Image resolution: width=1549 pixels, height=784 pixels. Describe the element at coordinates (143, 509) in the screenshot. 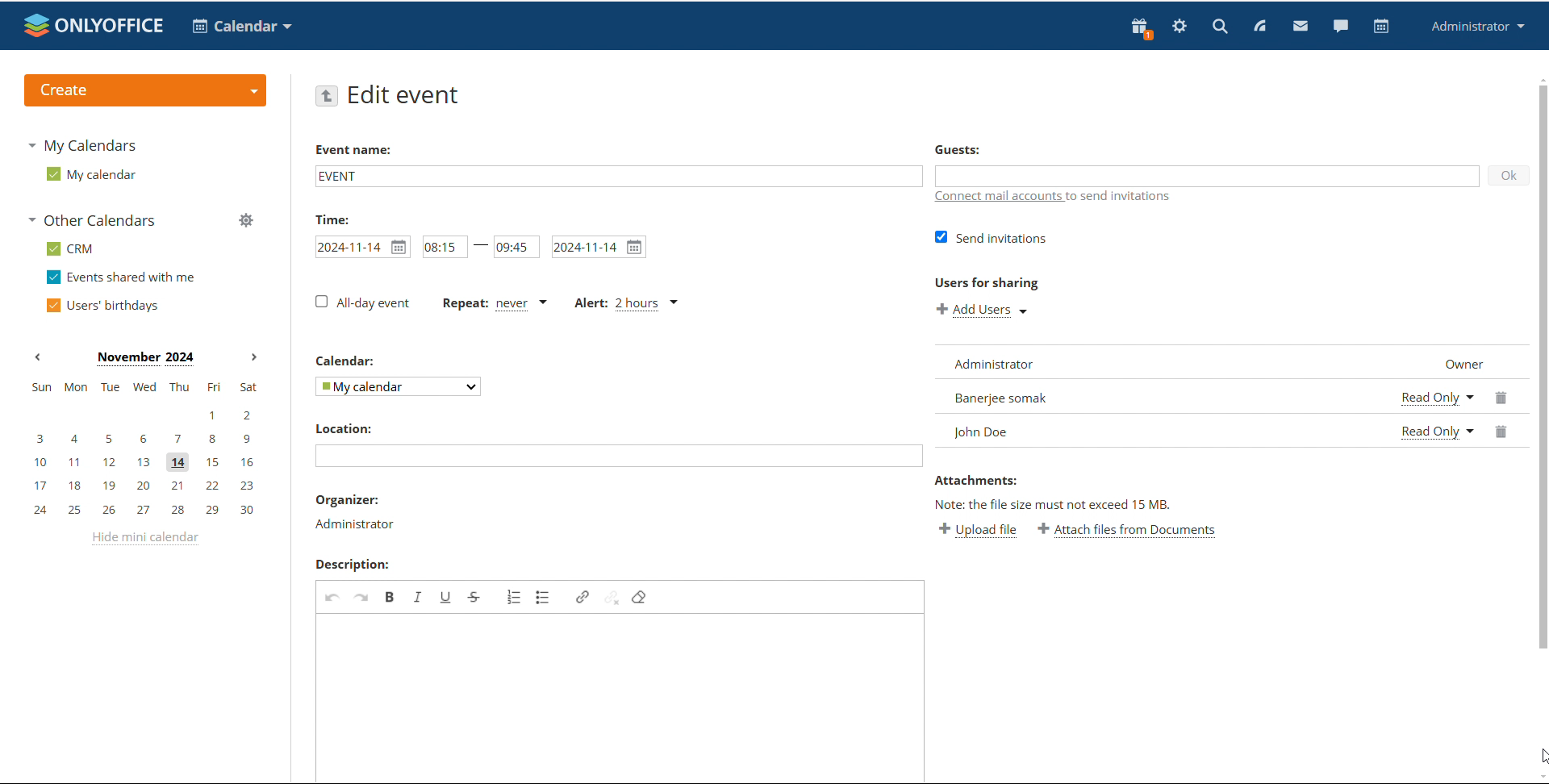

I see `24, 25, 26, 27, 28, 29, 30` at that location.